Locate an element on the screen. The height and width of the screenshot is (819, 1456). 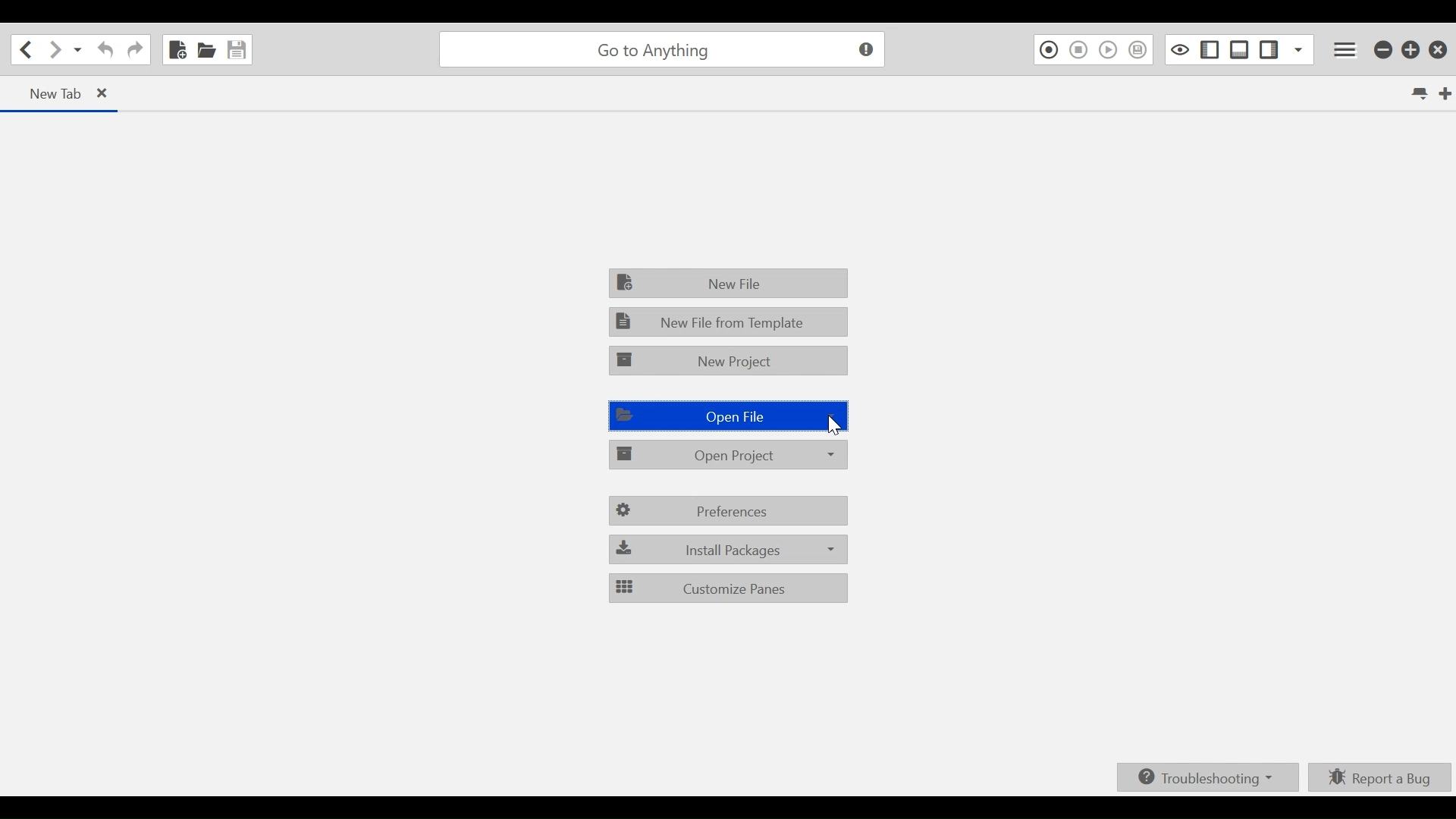
minimize is located at coordinates (1384, 51).